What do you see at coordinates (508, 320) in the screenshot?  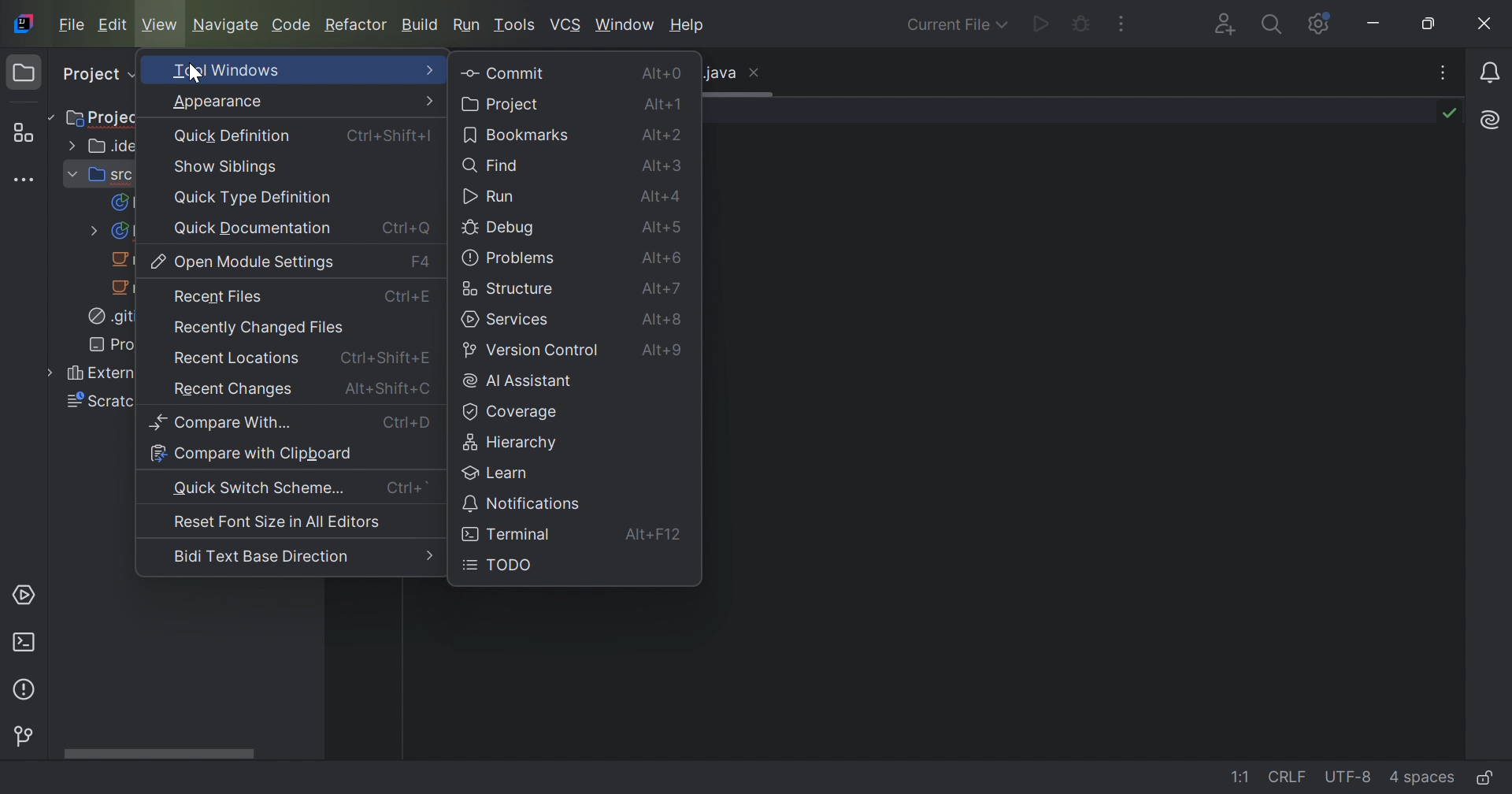 I see `Services` at bounding box center [508, 320].